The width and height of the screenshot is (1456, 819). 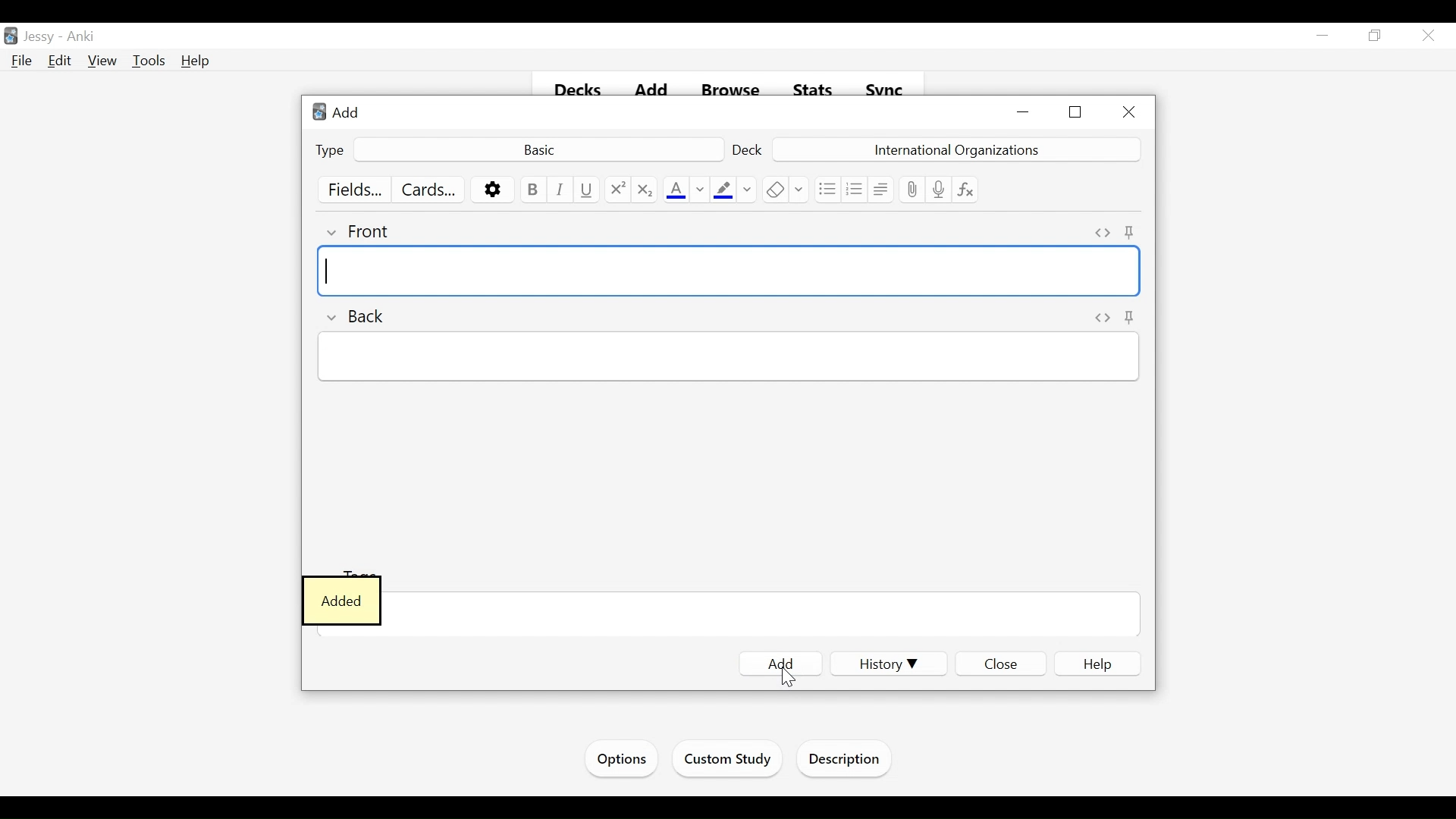 What do you see at coordinates (318, 112) in the screenshot?
I see `Anki Desktop Icon` at bounding box center [318, 112].